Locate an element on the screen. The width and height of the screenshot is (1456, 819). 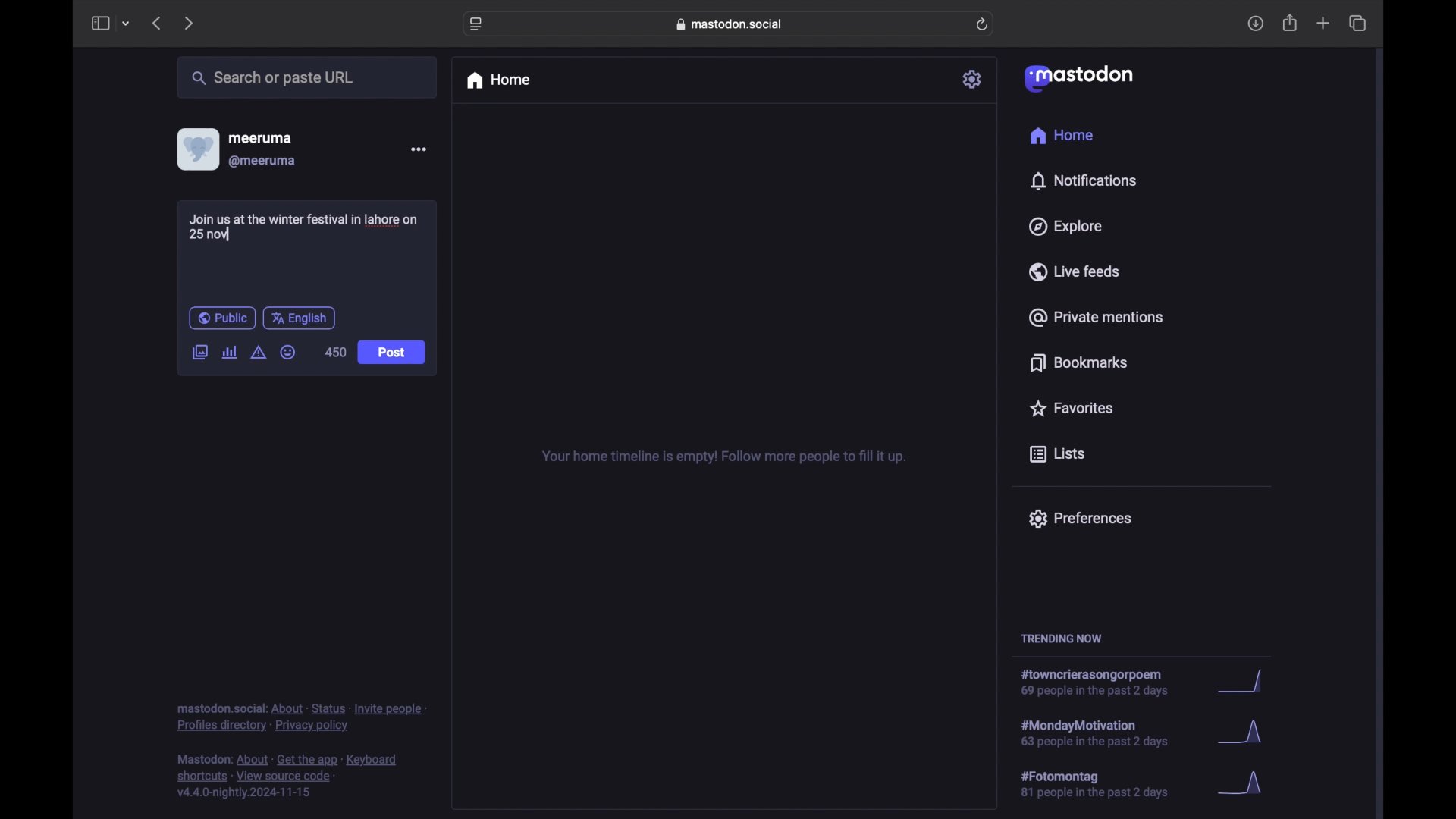
@meeruma is located at coordinates (262, 162).